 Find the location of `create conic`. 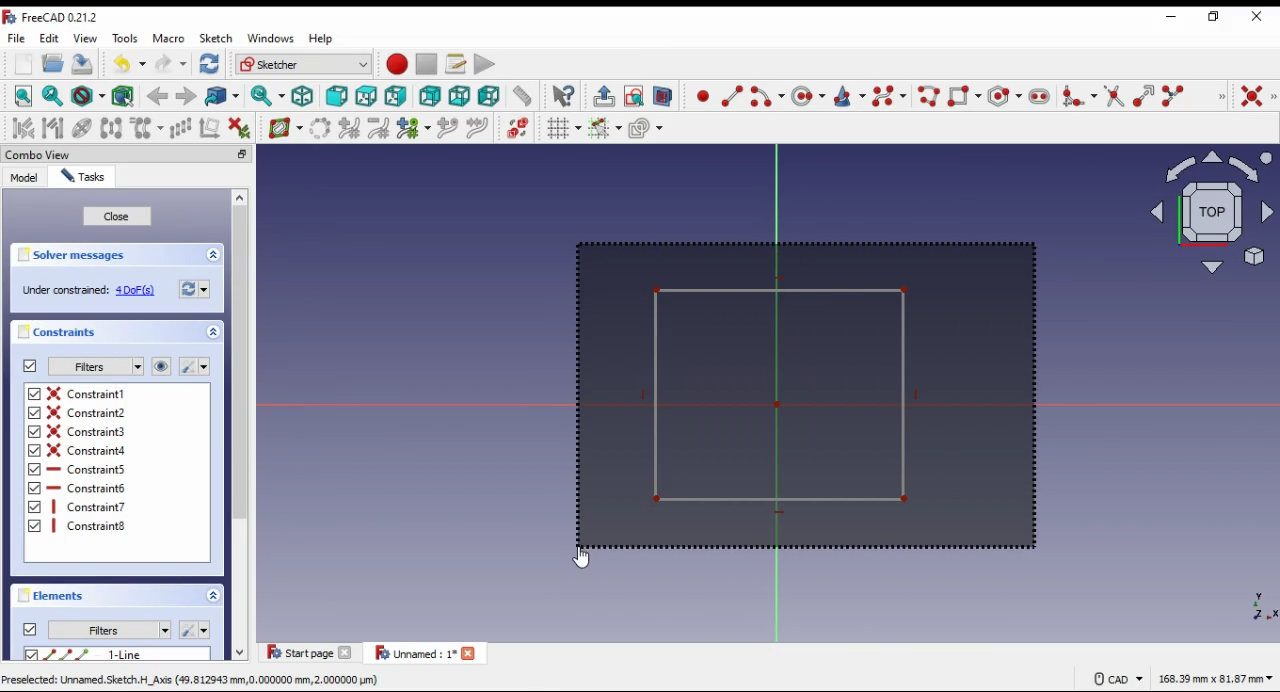

create conic is located at coordinates (848, 96).